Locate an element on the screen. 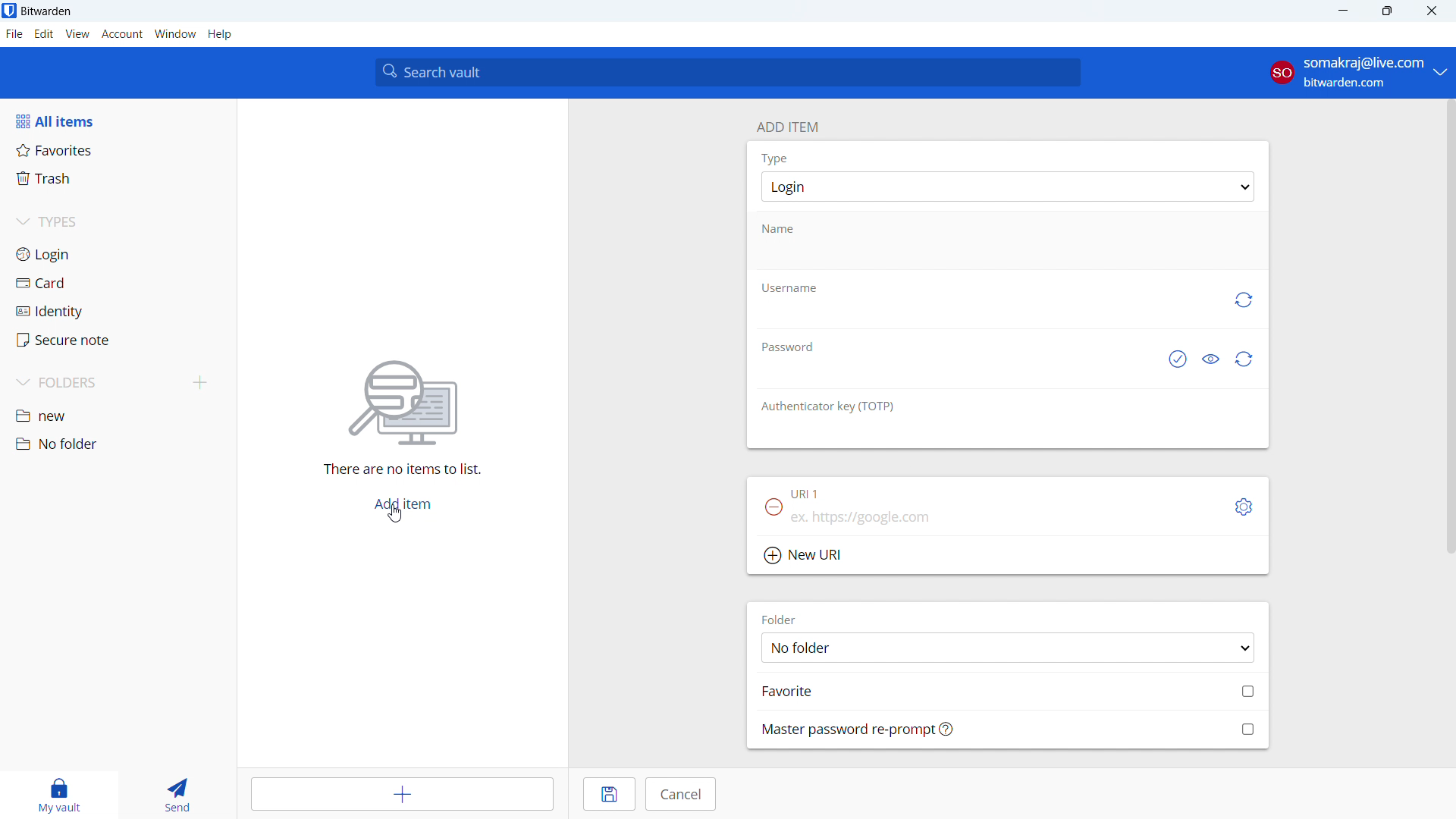  card is located at coordinates (118, 284).